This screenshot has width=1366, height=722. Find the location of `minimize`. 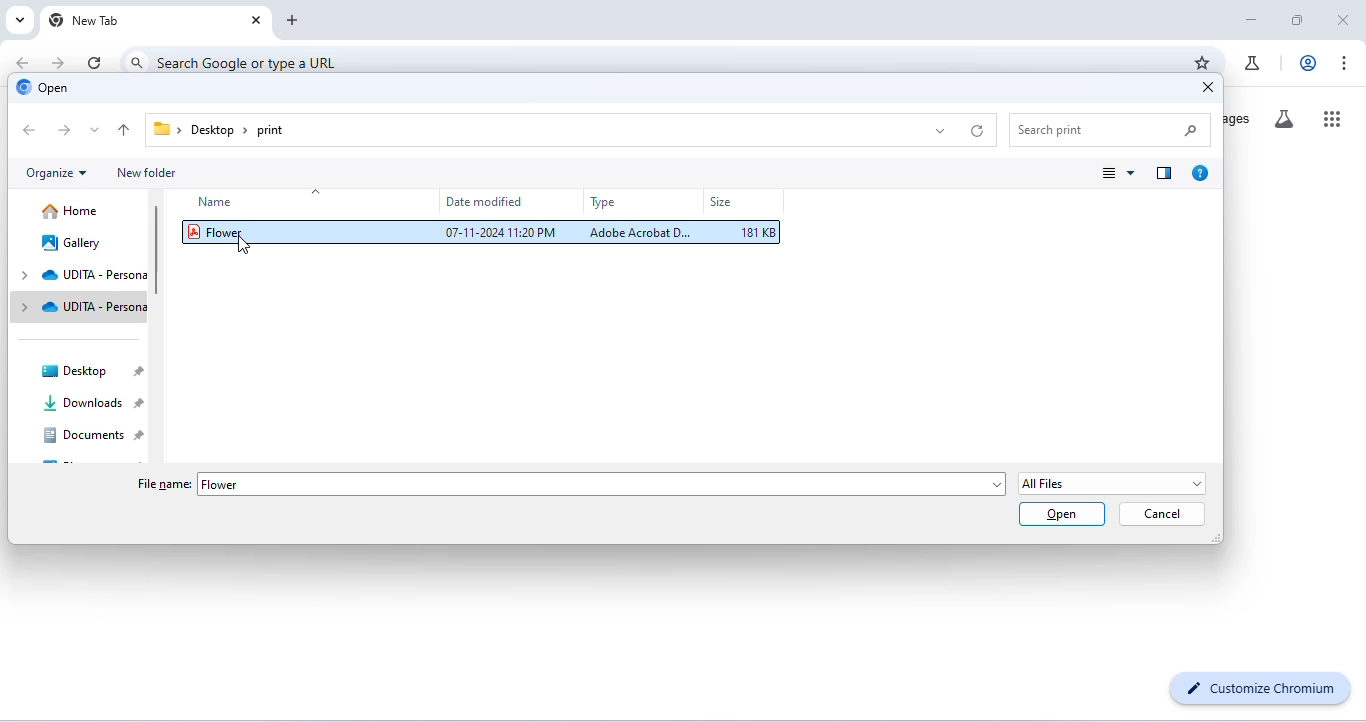

minimize is located at coordinates (1253, 19).